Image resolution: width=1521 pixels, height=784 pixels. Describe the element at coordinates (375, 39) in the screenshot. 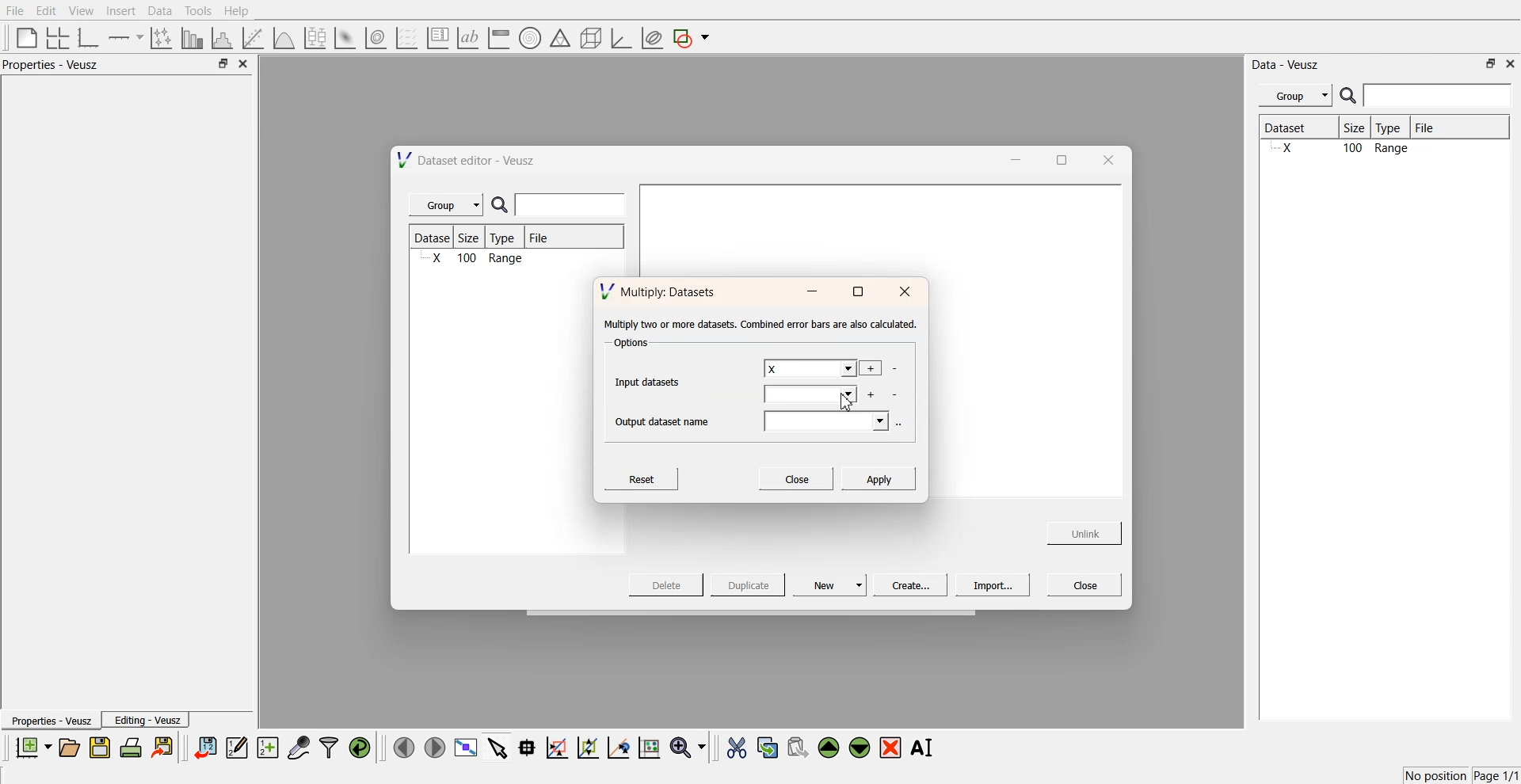

I see `plot a 2d data set as contour` at that location.